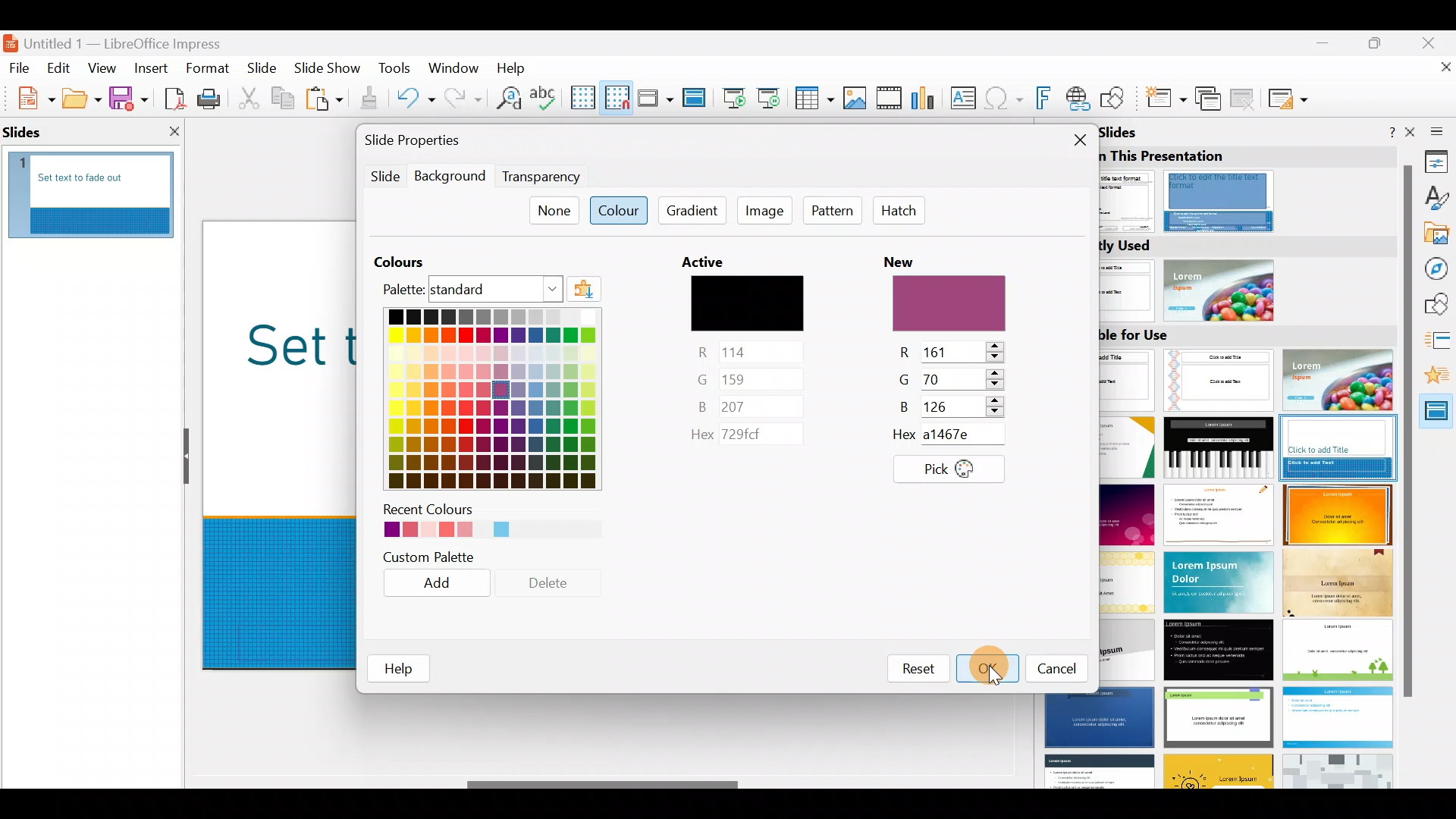 The image size is (1456, 819). I want to click on Duplicate slide, so click(1210, 99).